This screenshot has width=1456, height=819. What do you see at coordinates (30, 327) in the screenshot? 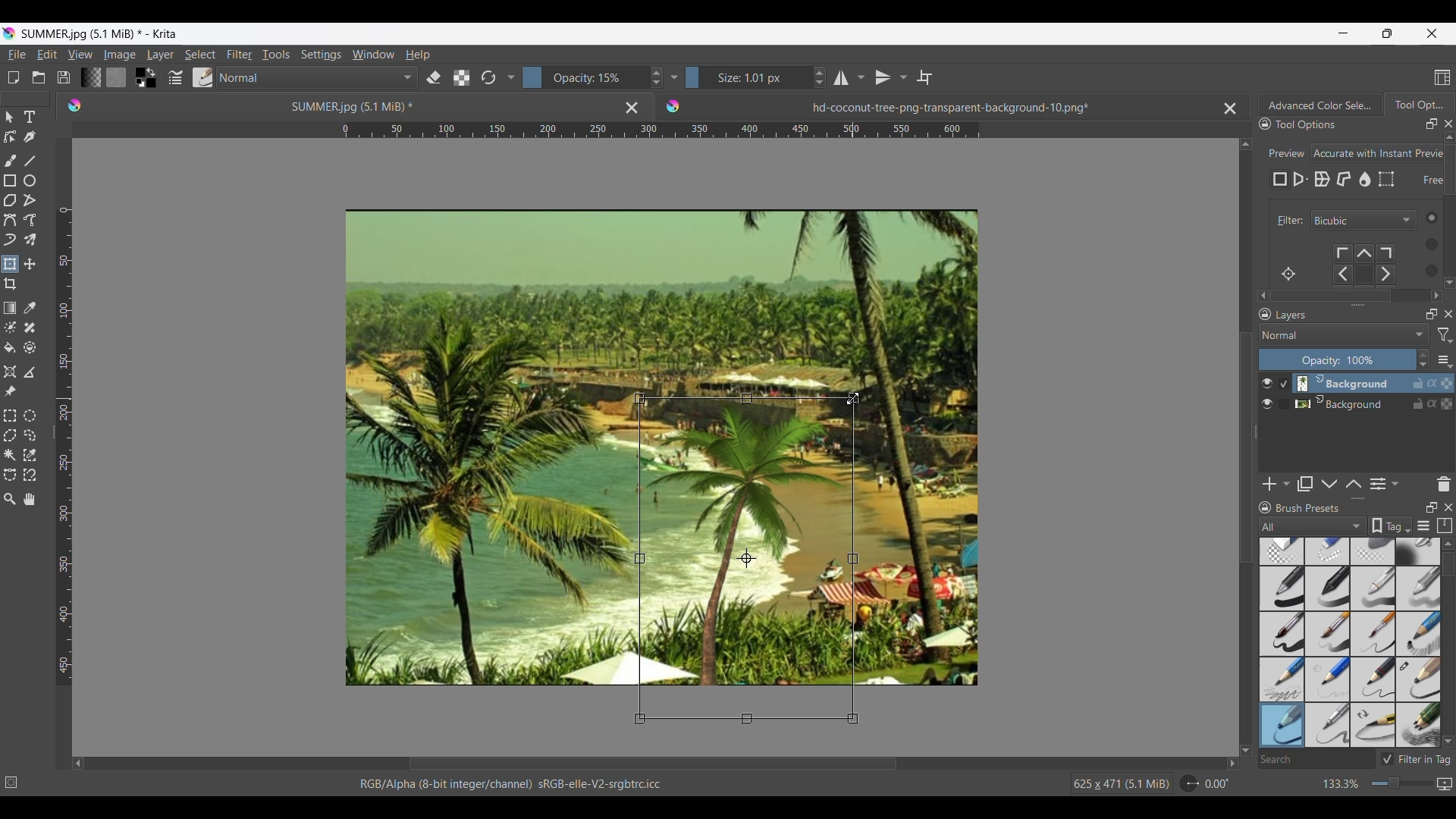
I see `Smart patch tool` at bounding box center [30, 327].